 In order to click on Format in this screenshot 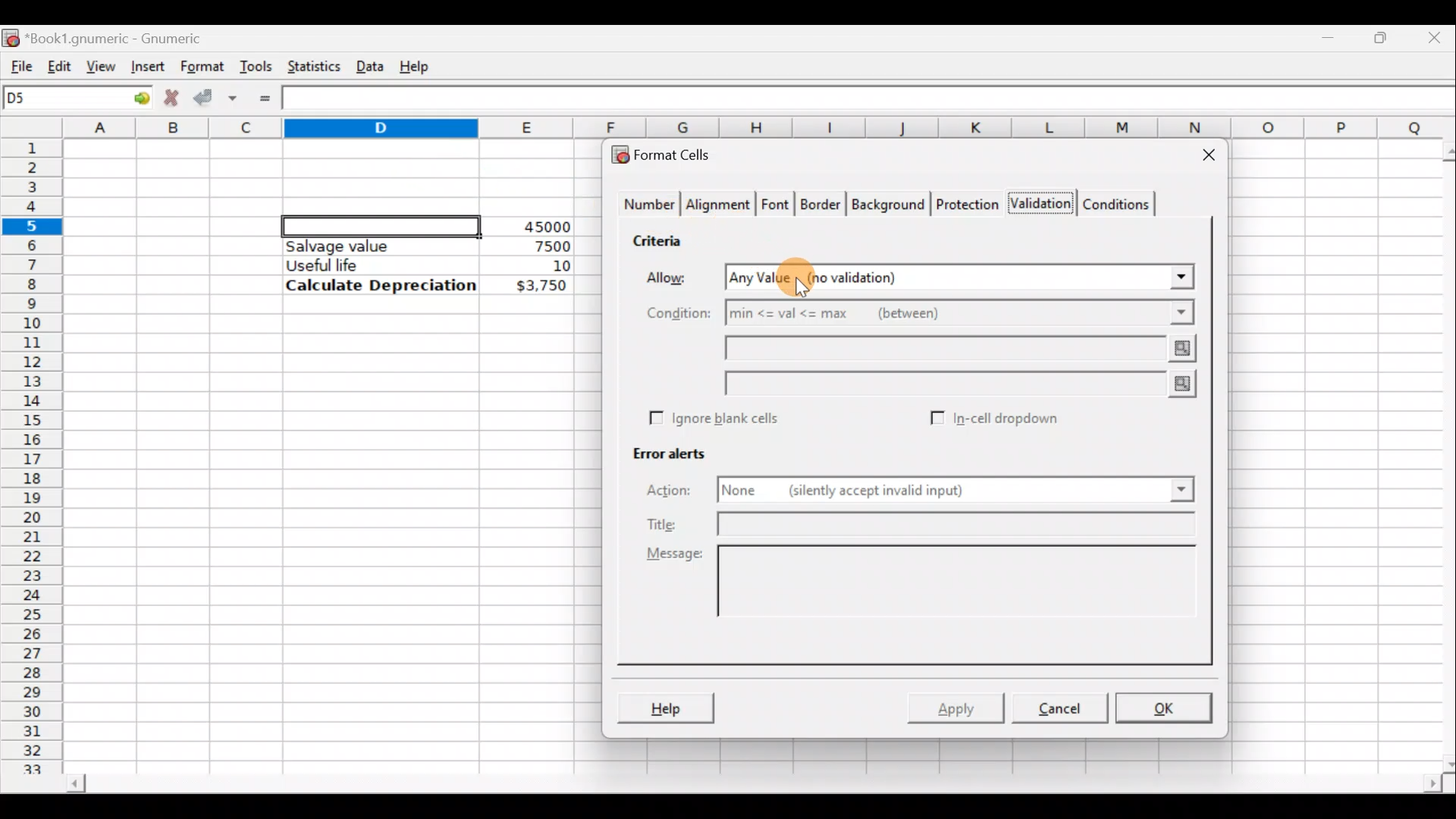, I will do `click(201, 67)`.